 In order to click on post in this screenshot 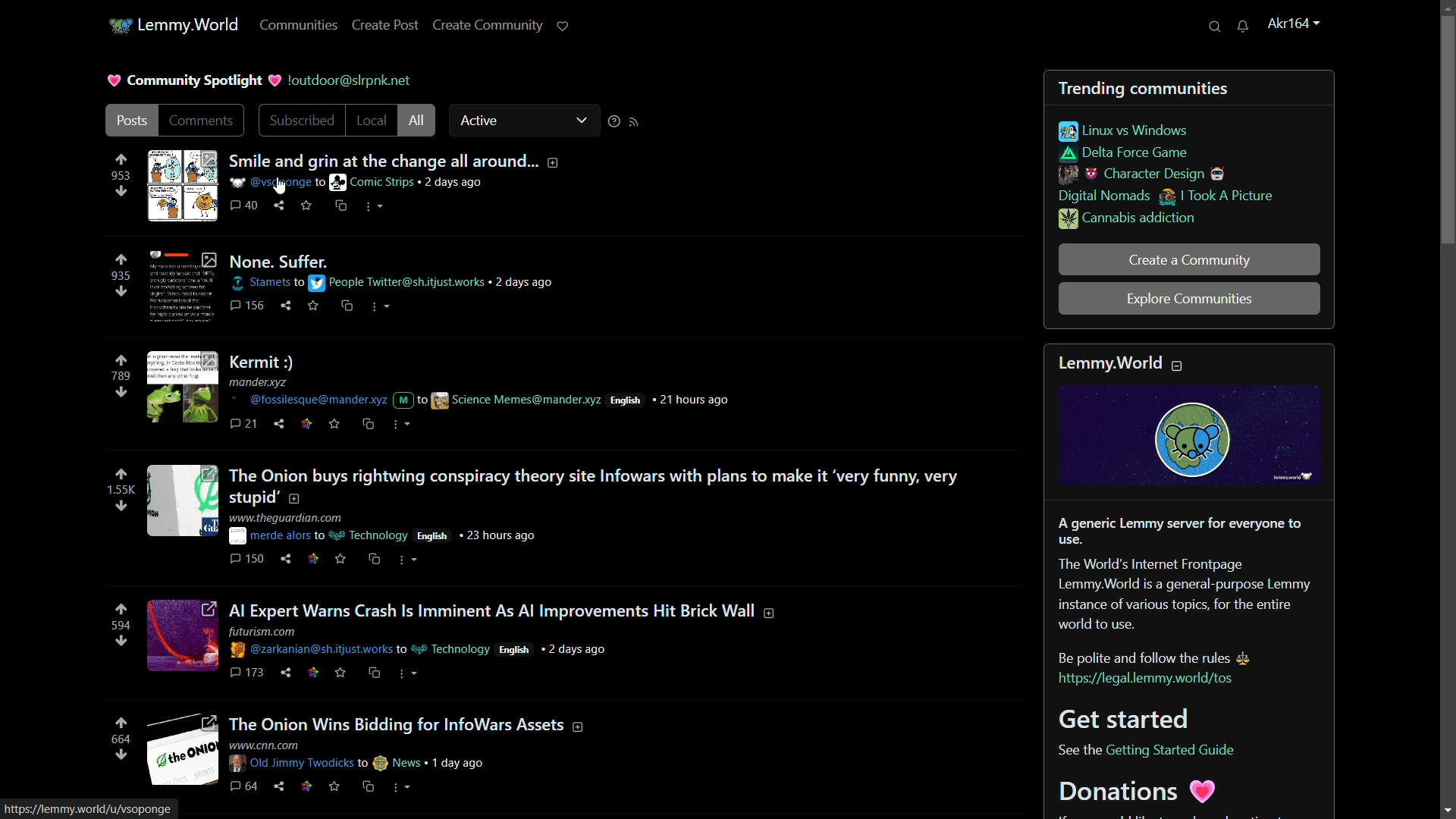, I will do `click(130, 121)`.